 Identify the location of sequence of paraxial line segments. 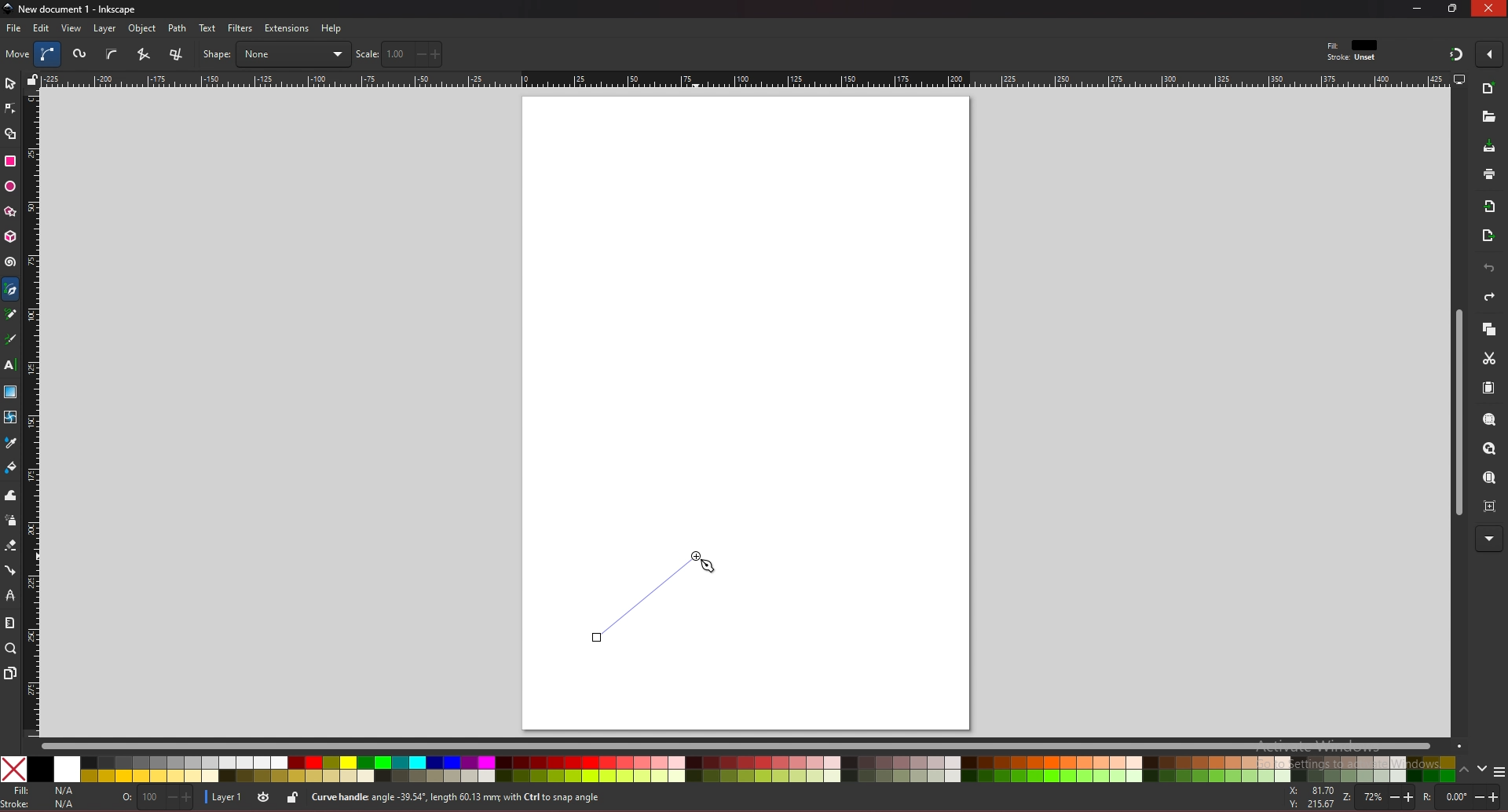
(178, 55).